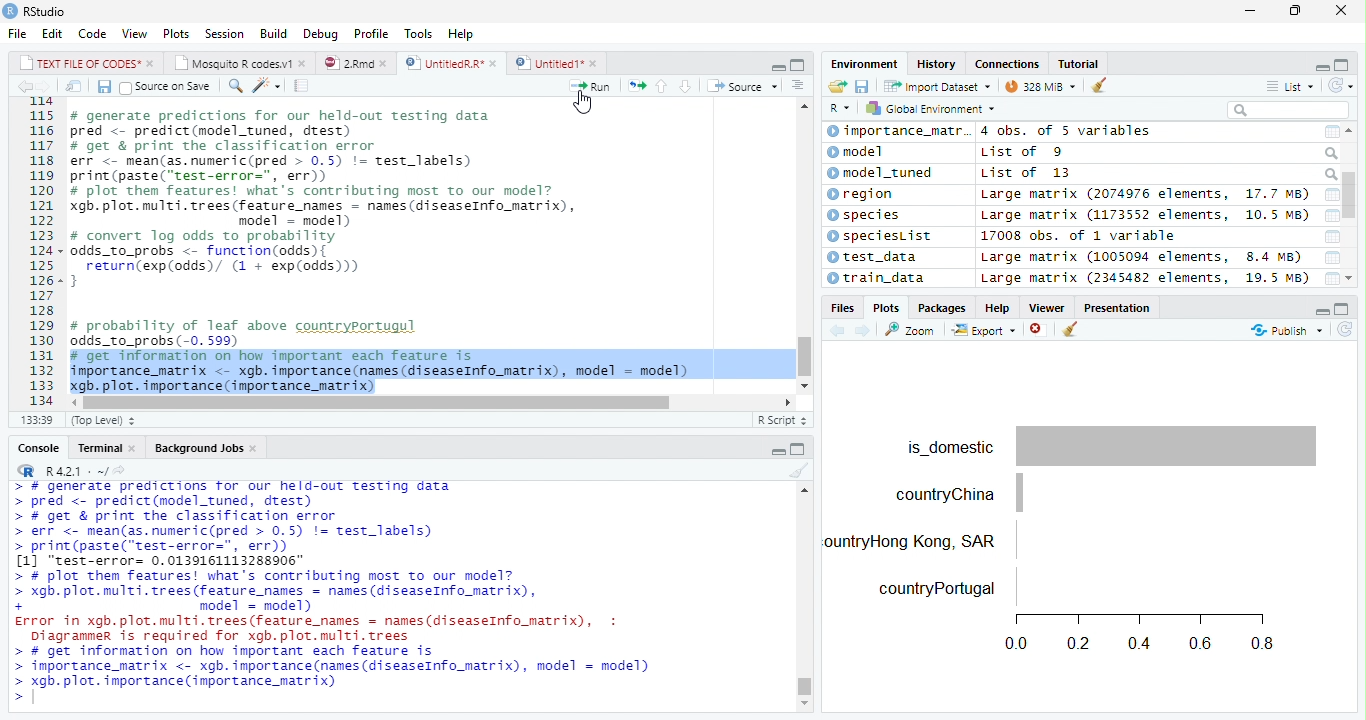  What do you see at coordinates (887, 174) in the screenshot?
I see `‘model _tuned` at bounding box center [887, 174].